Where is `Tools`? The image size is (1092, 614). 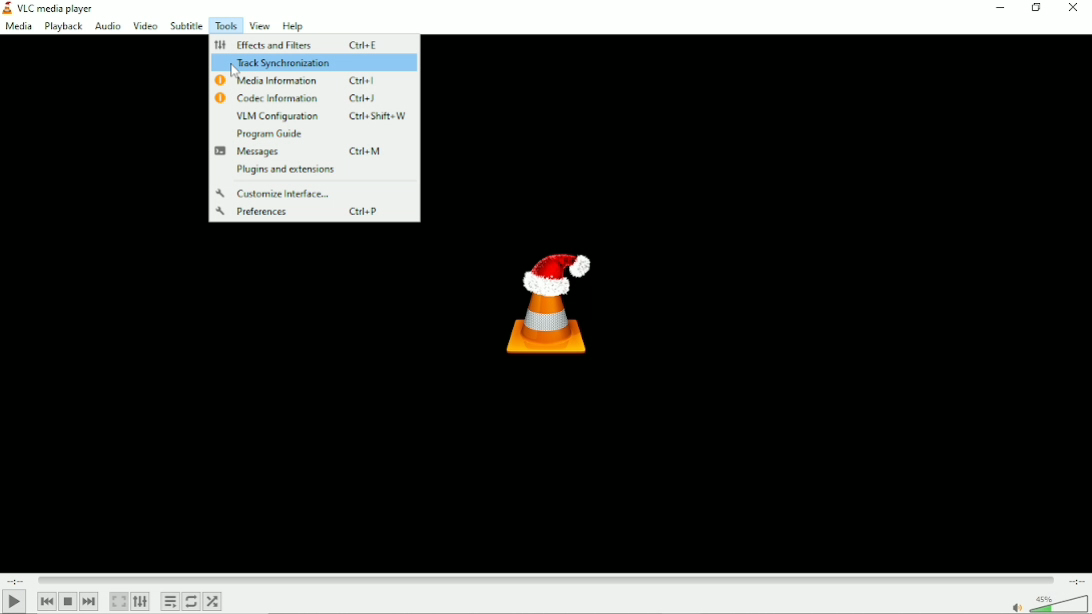 Tools is located at coordinates (225, 25).